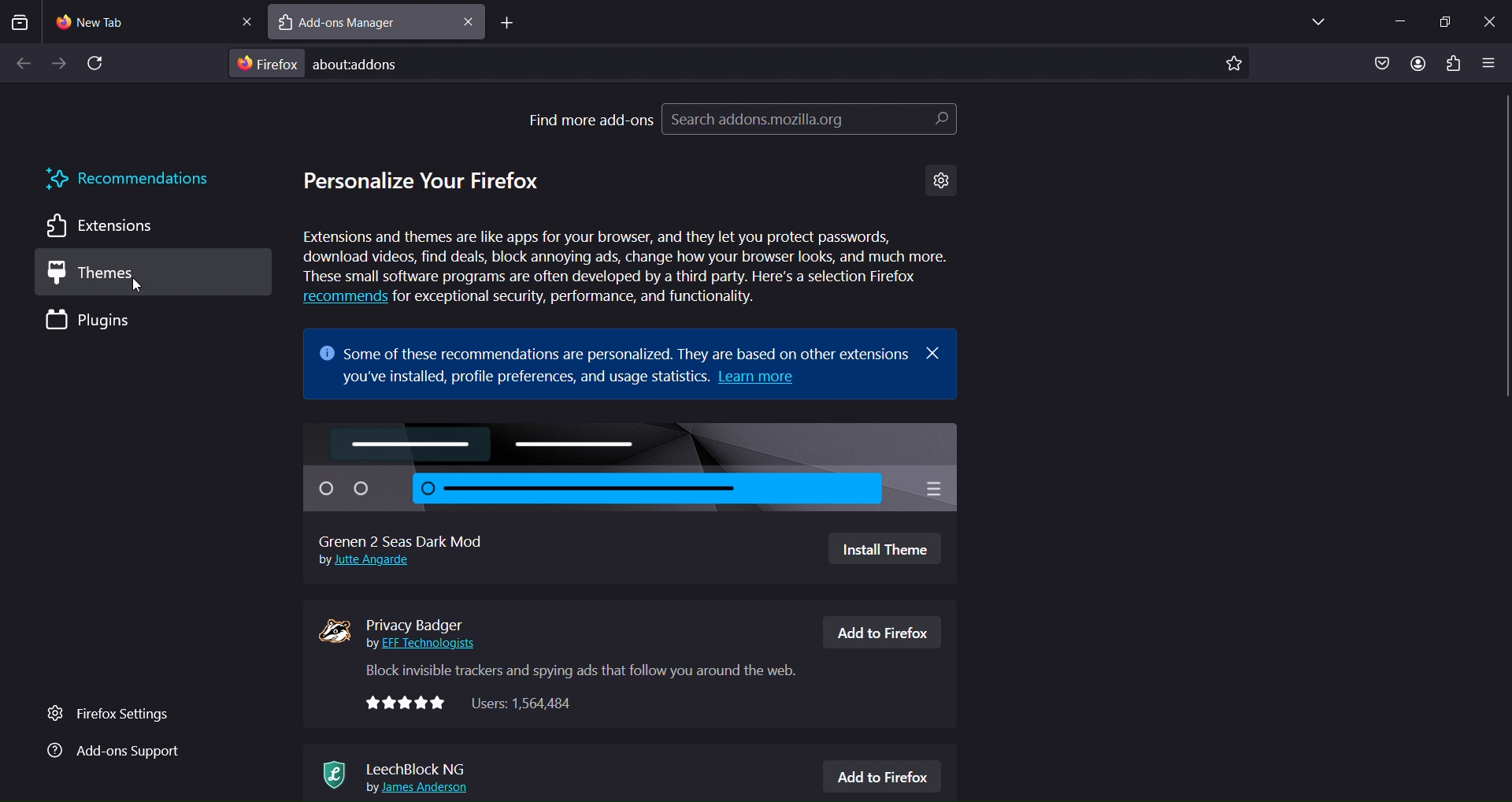  What do you see at coordinates (580, 297) in the screenshot?
I see ` for exceptional security, performance, and functionality.` at bounding box center [580, 297].